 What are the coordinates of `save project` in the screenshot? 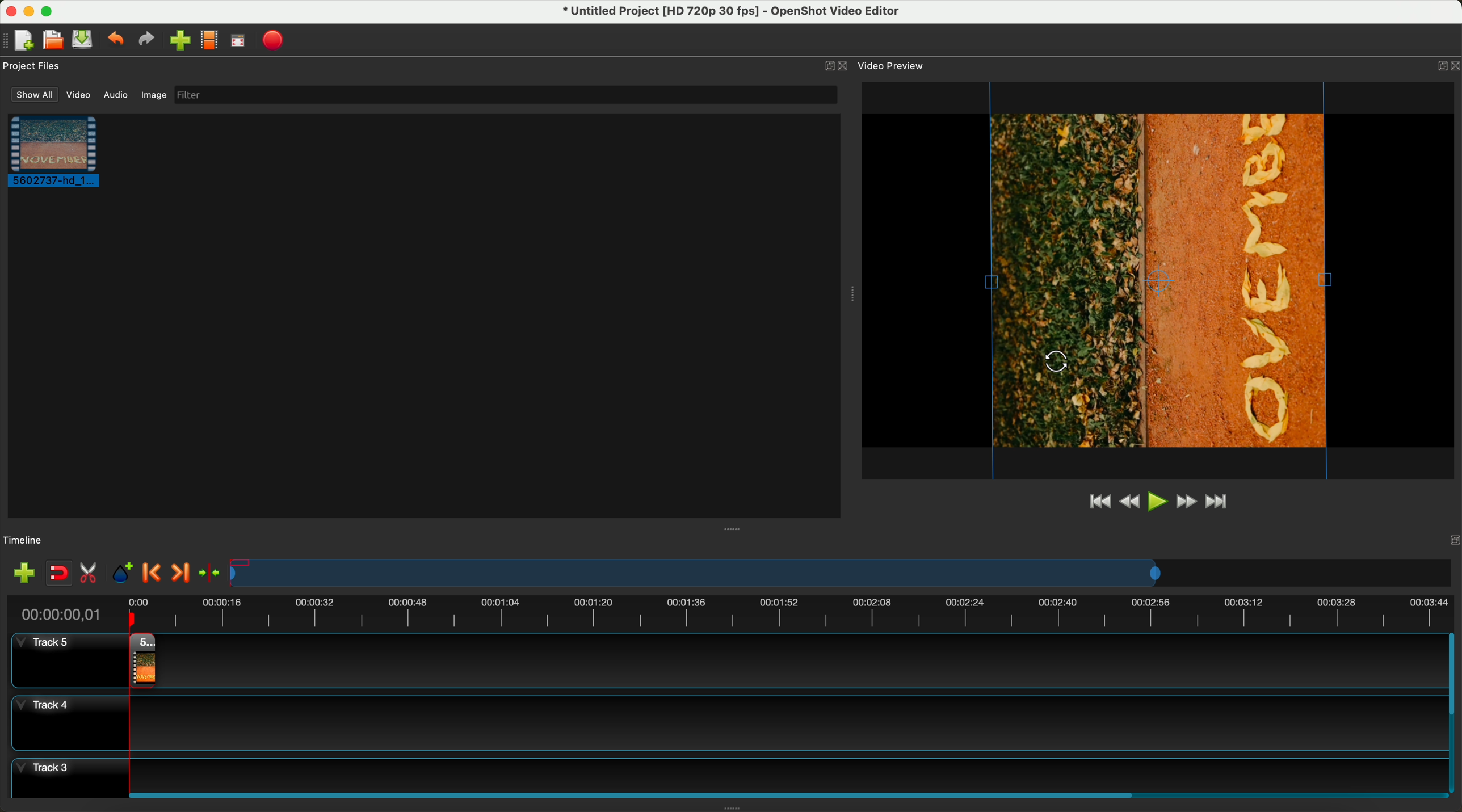 It's located at (83, 39).